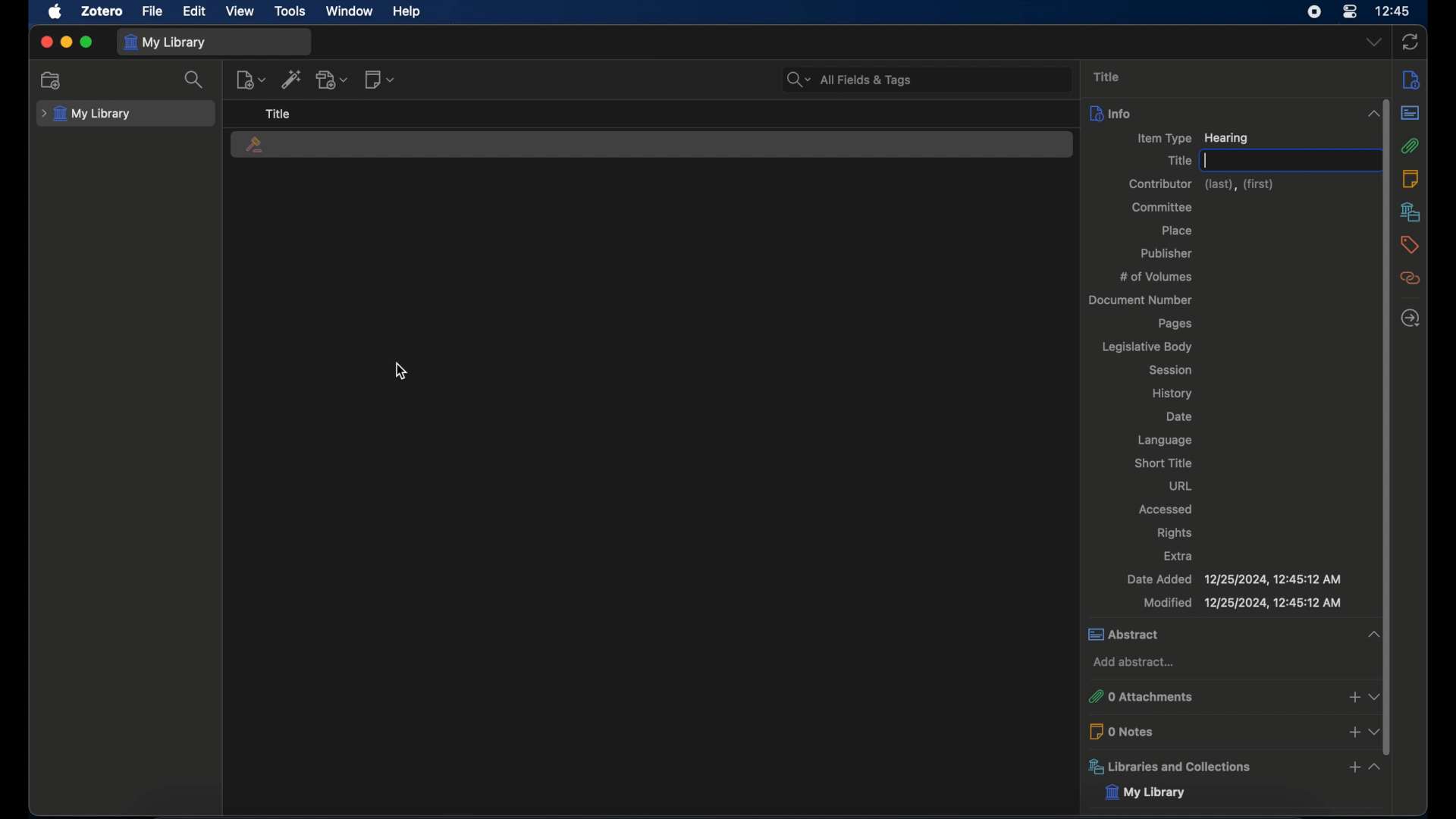 The image size is (1456, 819). What do you see at coordinates (1235, 767) in the screenshot?
I see `libraries and collections` at bounding box center [1235, 767].